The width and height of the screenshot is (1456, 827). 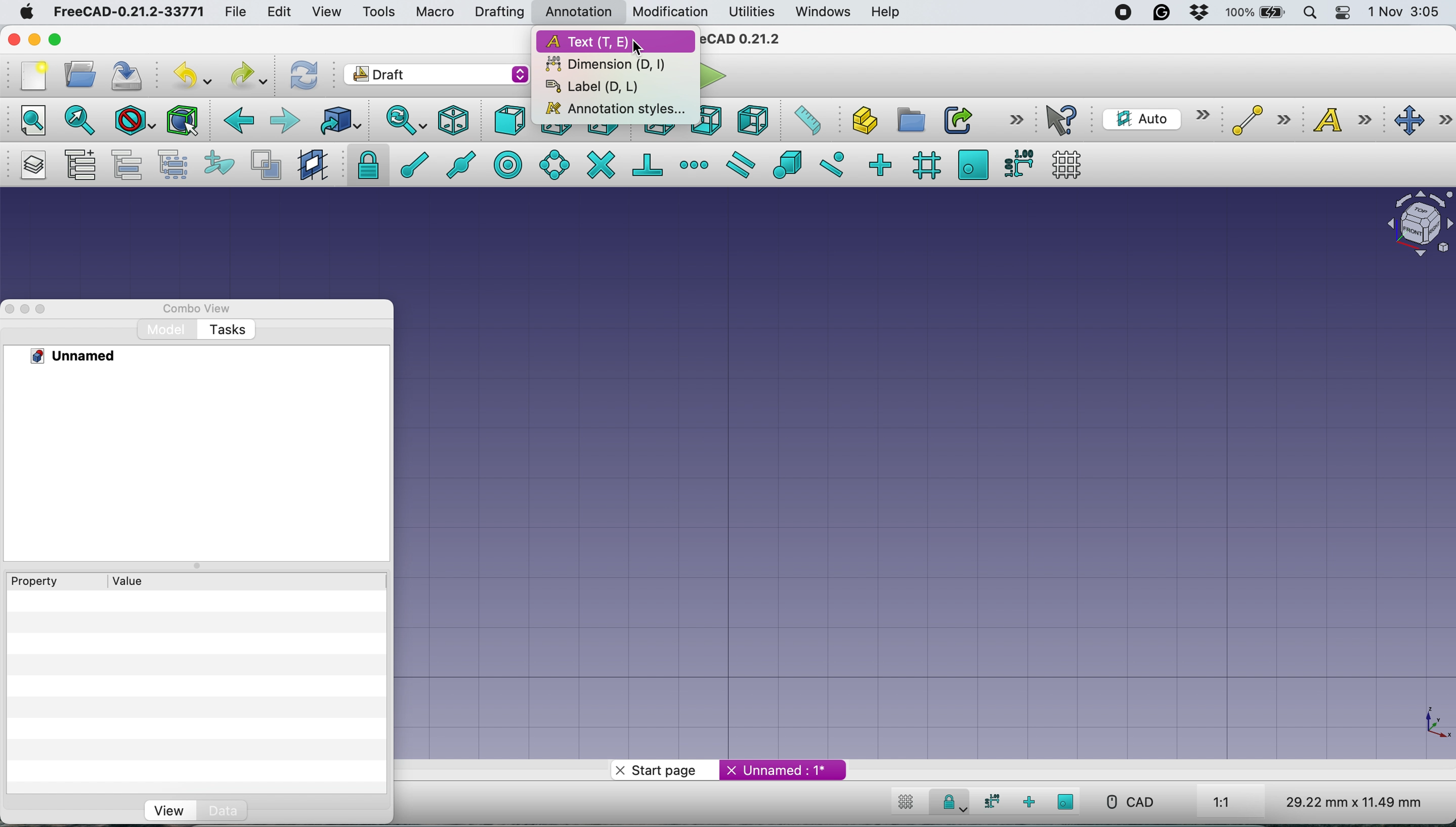 I want to click on dimensions, so click(x=1350, y=801).